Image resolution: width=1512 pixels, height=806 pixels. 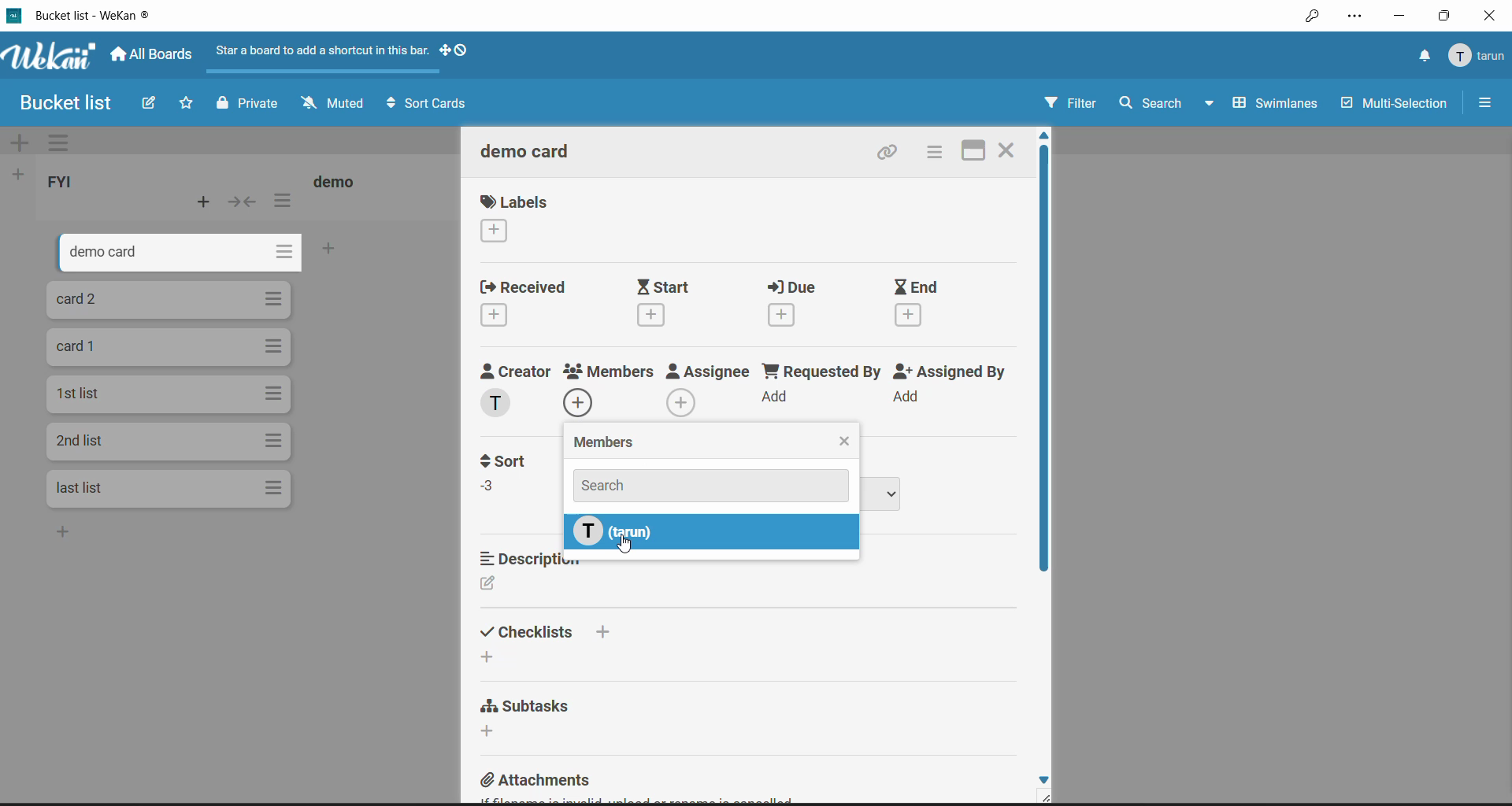 What do you see at coordinates (1394, 103) in the screenshot?
I see `multi selection` at bounding box center [1394, 103].